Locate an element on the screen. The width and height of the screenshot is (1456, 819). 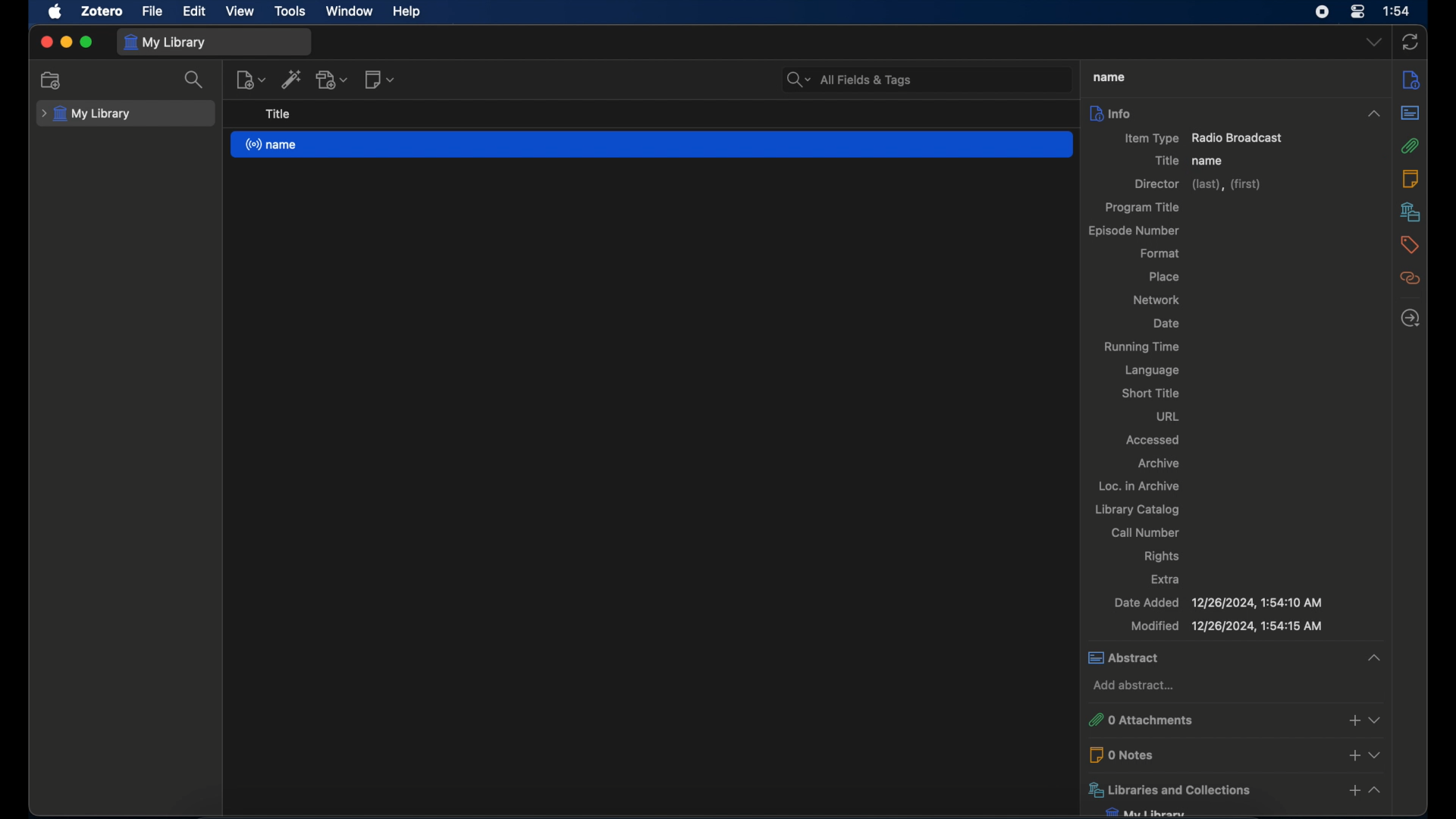
new collection is located at coordinates (51, 80).